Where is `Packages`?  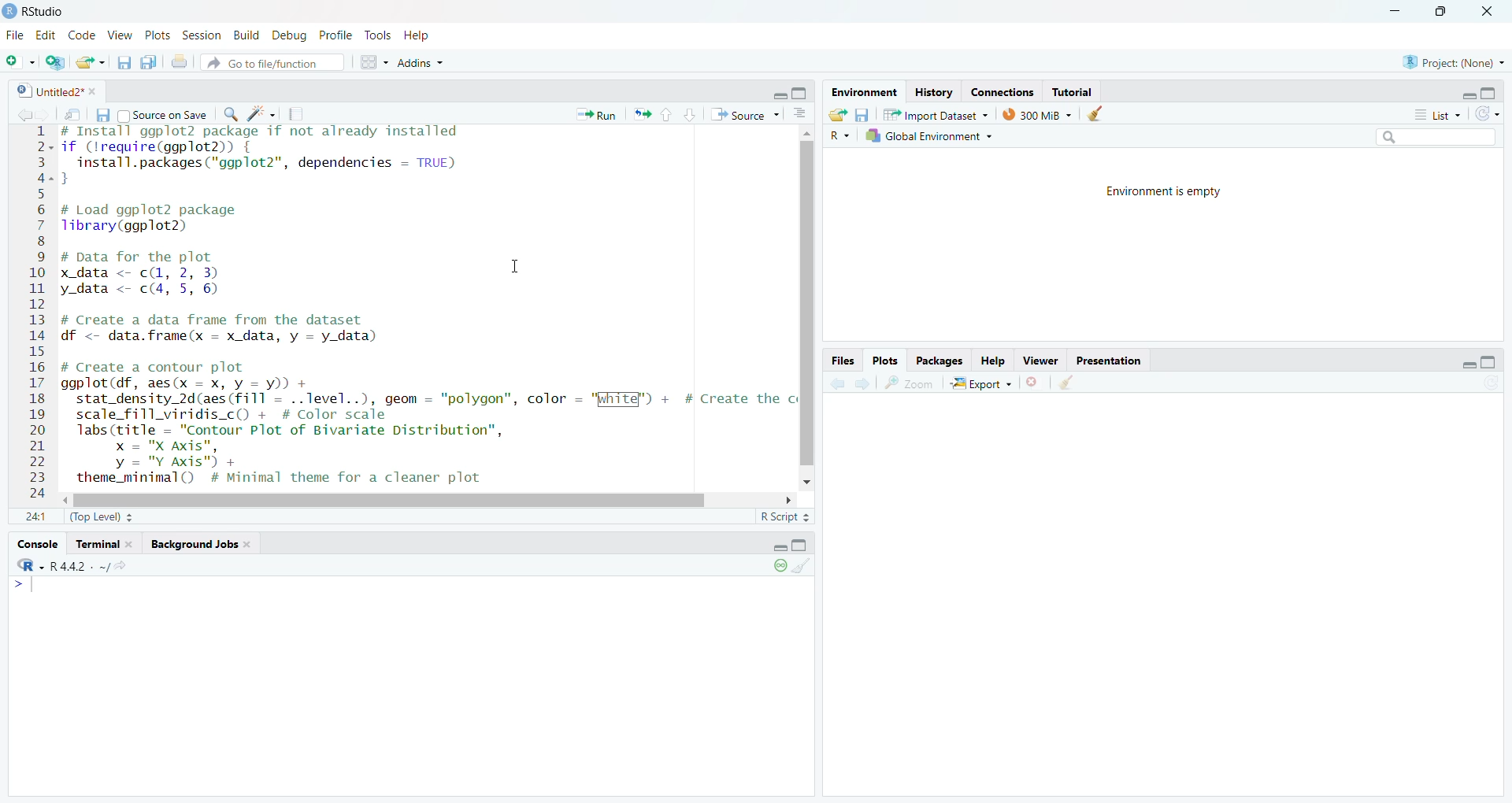 Packages is located at coordinates (938, 361).